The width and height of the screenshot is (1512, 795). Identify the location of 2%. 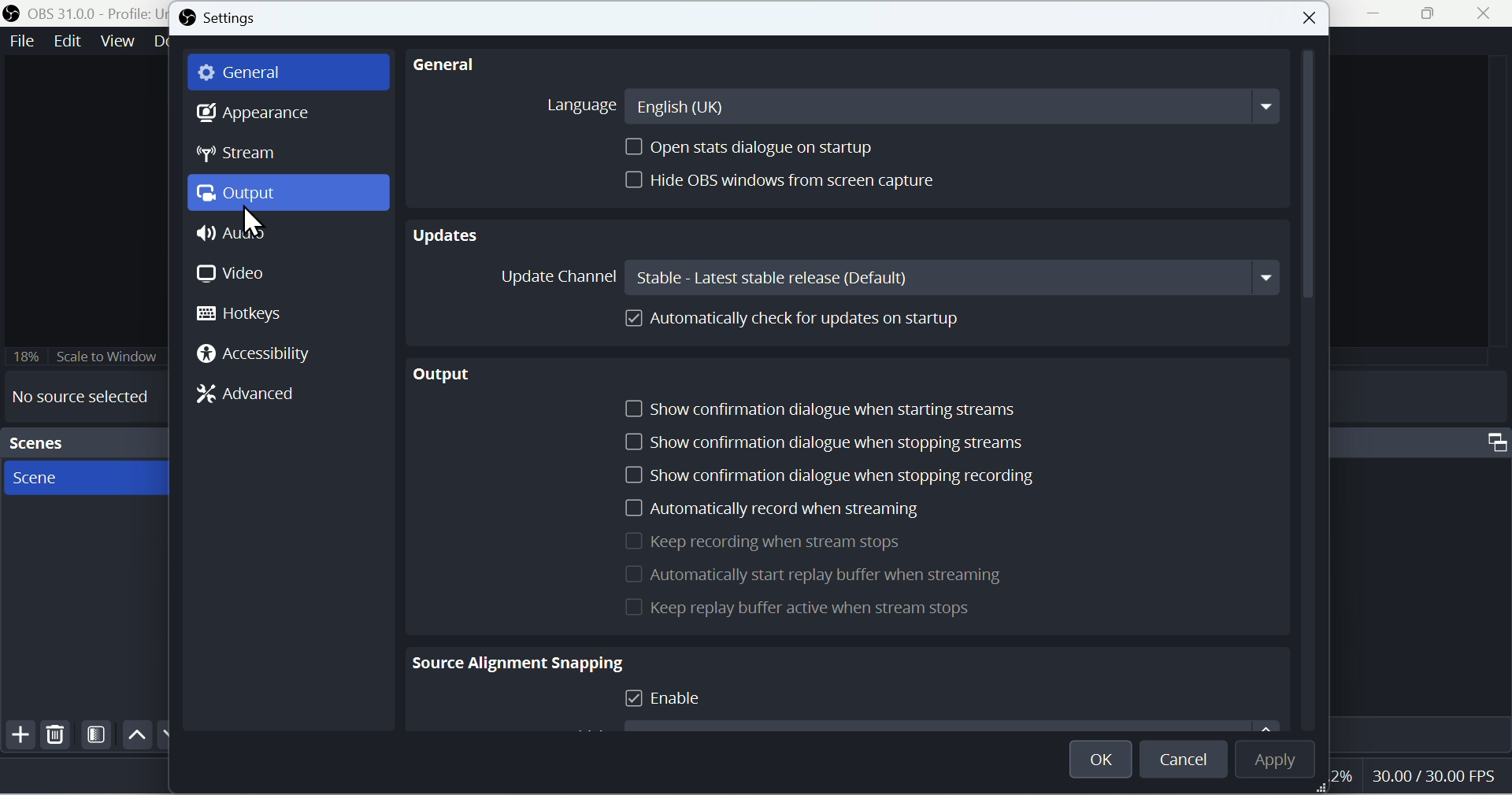
(1344, 780).